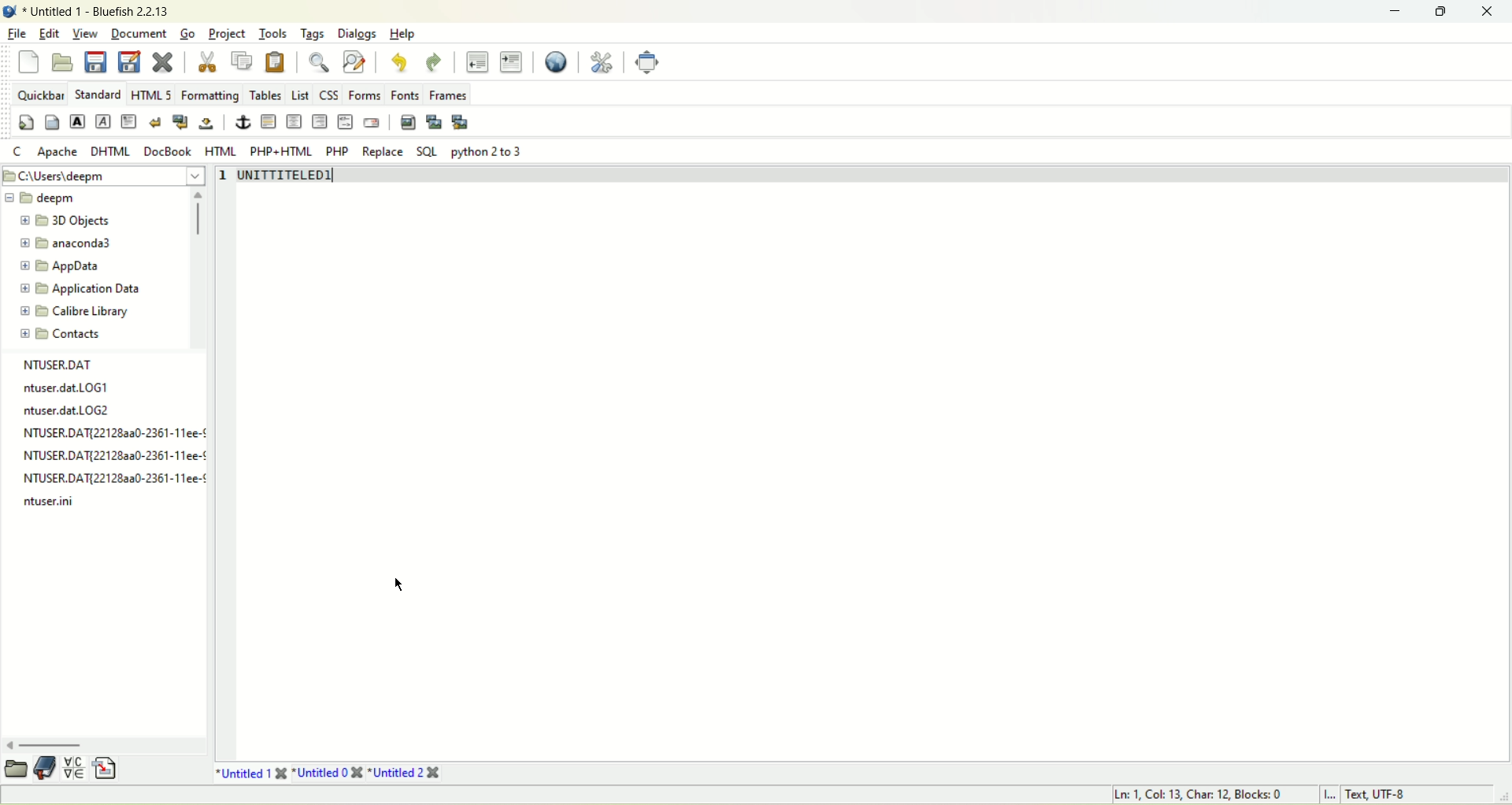 This screenshot has width=1512, height=805. What do you see at coordinates (72, 412) in the screenshot?
I see `log` at bounding box center [72, 412].